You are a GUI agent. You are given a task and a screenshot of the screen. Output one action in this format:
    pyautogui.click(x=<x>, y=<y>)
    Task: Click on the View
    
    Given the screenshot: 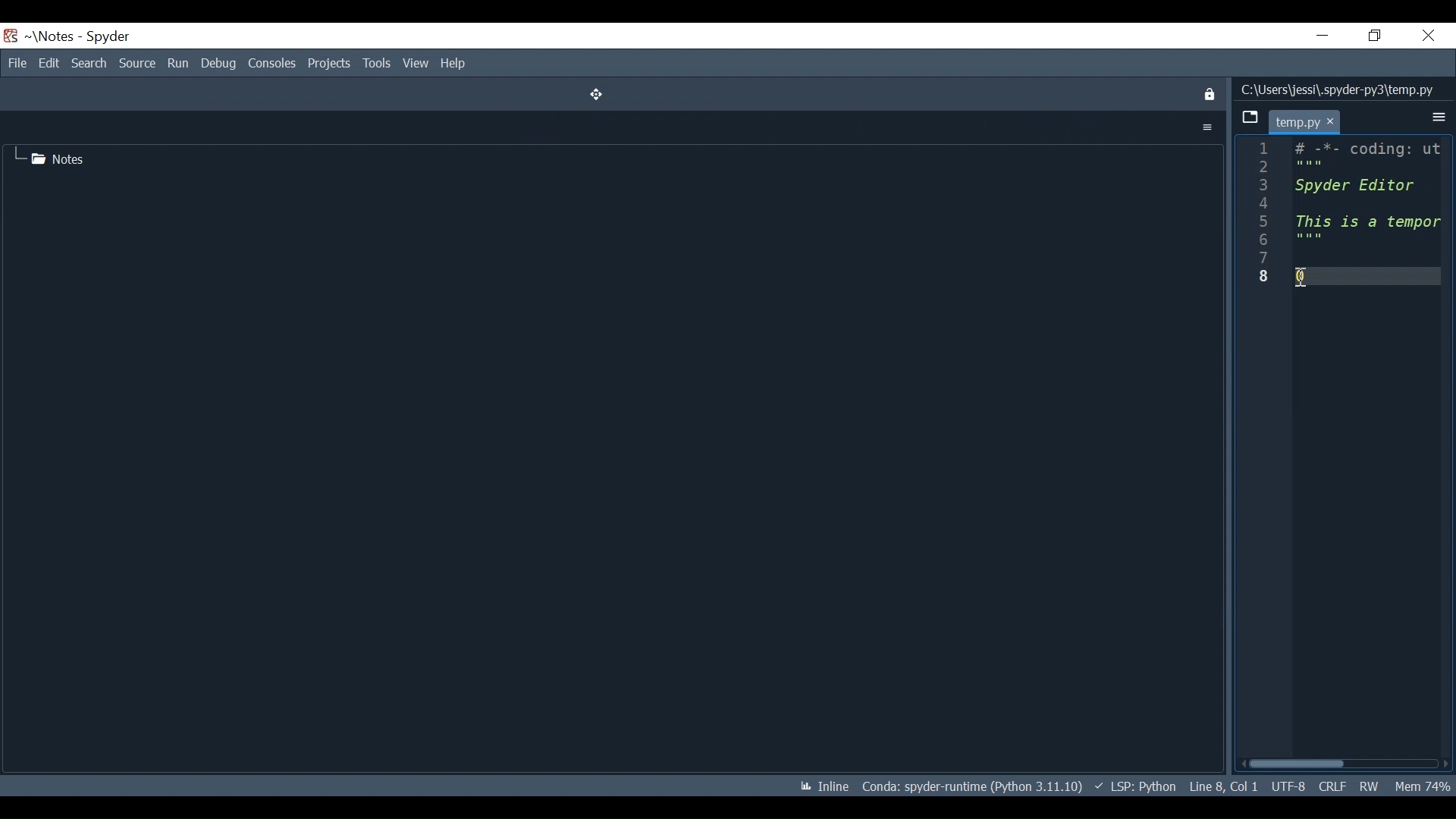 What is the action you would take?
    pyautogui.click(x=416, y=64)
    